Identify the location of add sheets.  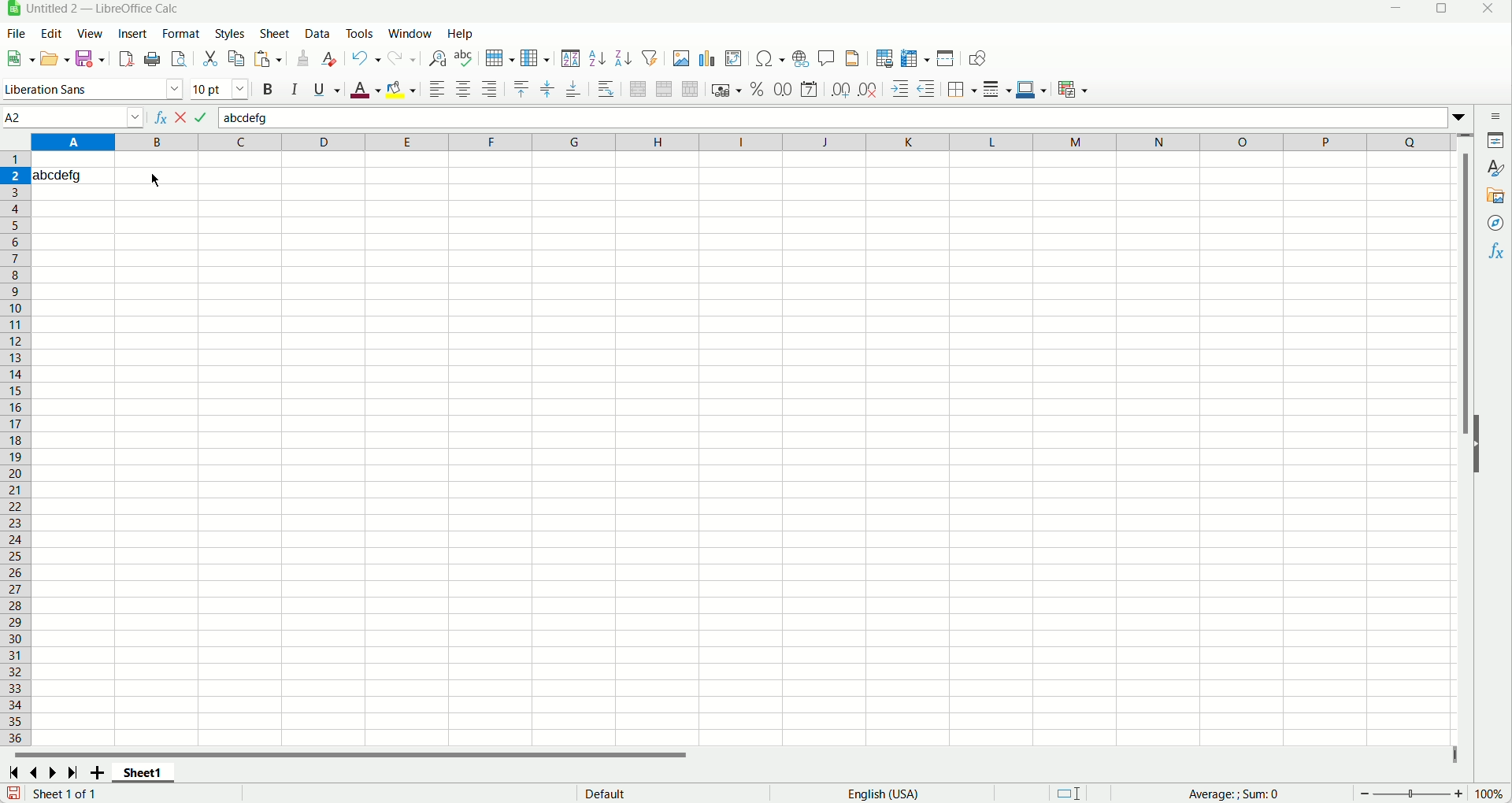
(95, 771).